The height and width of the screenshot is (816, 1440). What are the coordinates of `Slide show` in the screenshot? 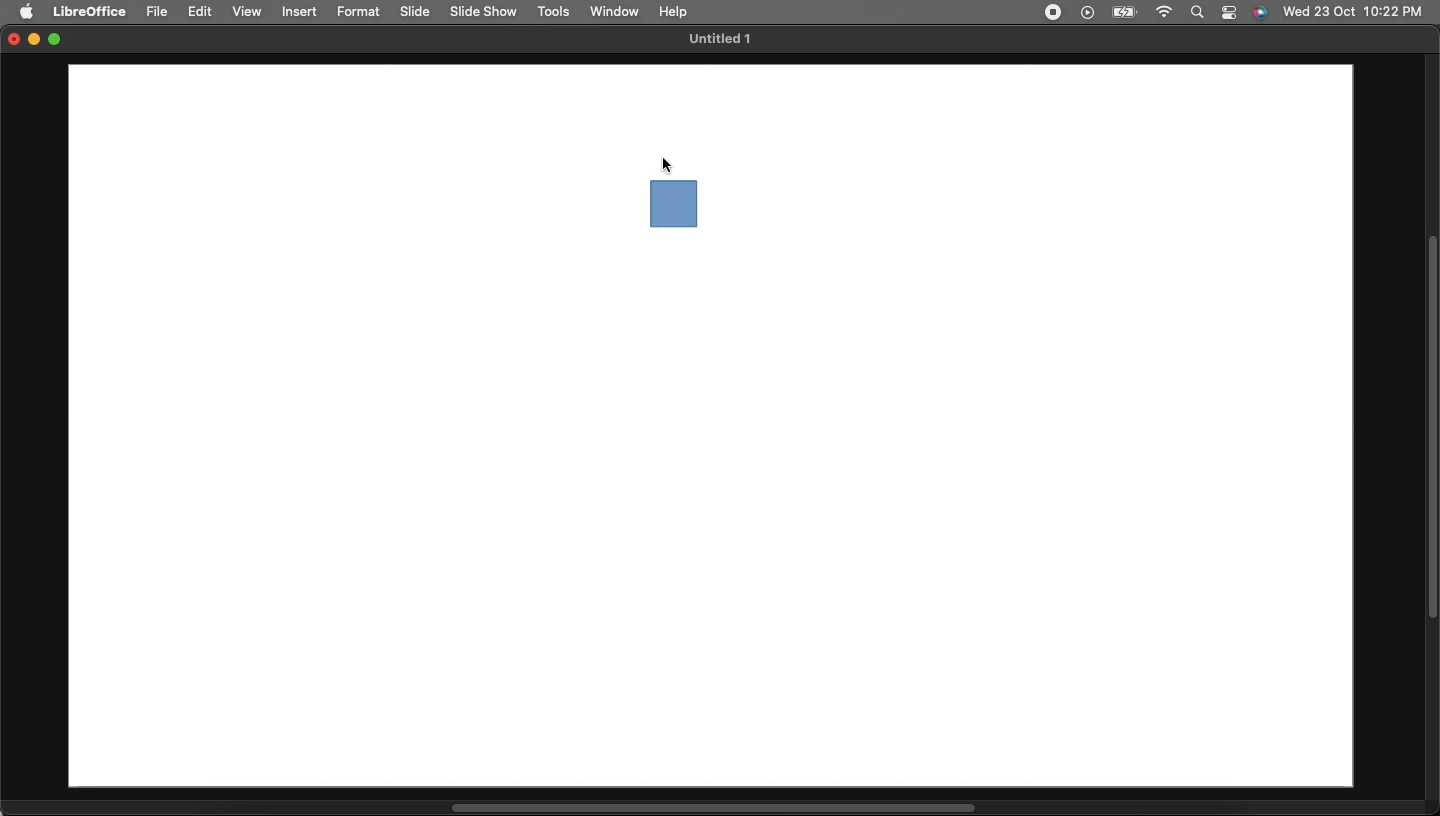 It's located at (483, 11).